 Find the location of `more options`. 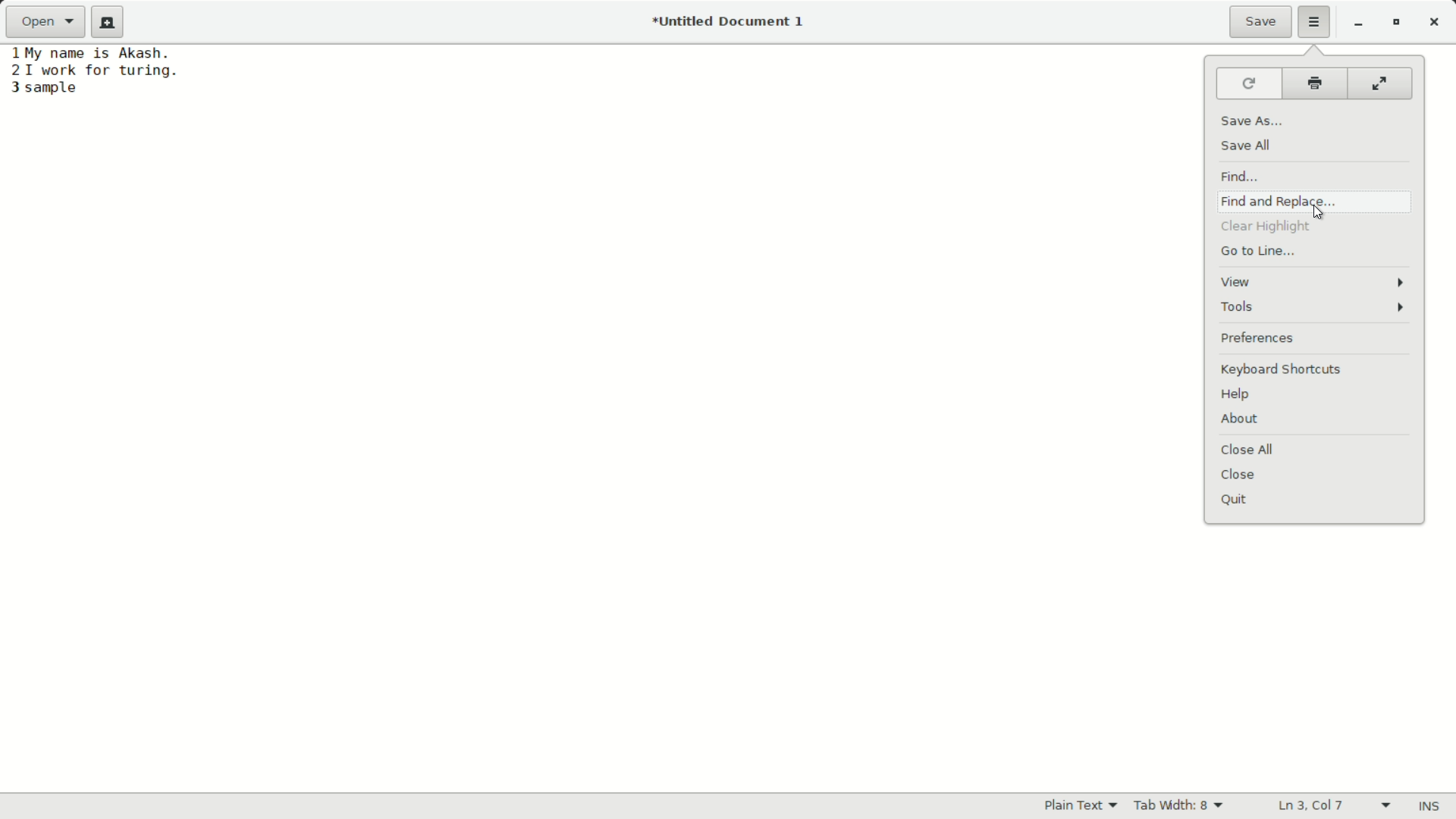

more options is located at coordinates (1316, 22).